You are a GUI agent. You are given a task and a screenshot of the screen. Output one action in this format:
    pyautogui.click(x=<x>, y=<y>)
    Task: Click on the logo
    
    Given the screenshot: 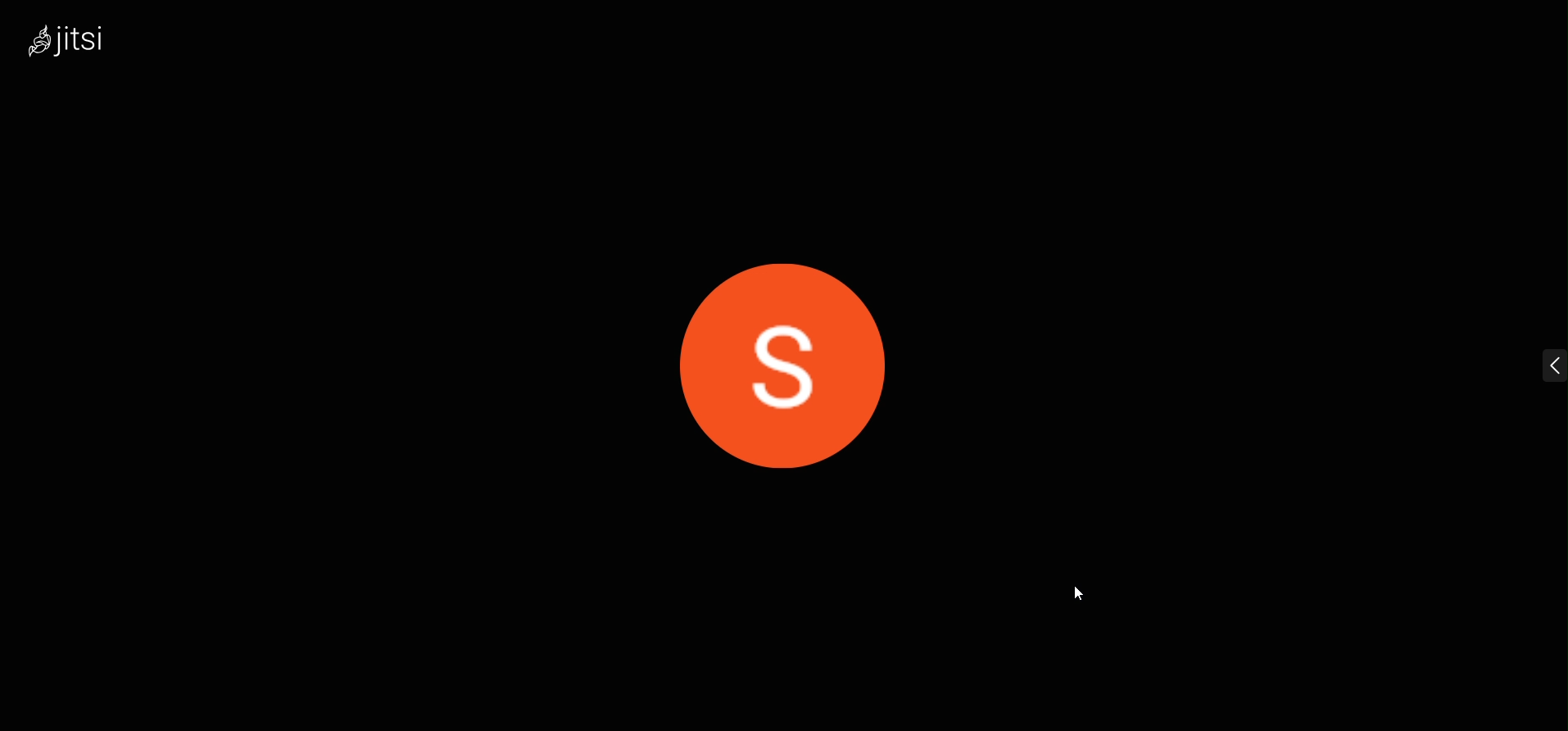 What is the action you would take?
    pyautogui.click(x=75, y=39)
    